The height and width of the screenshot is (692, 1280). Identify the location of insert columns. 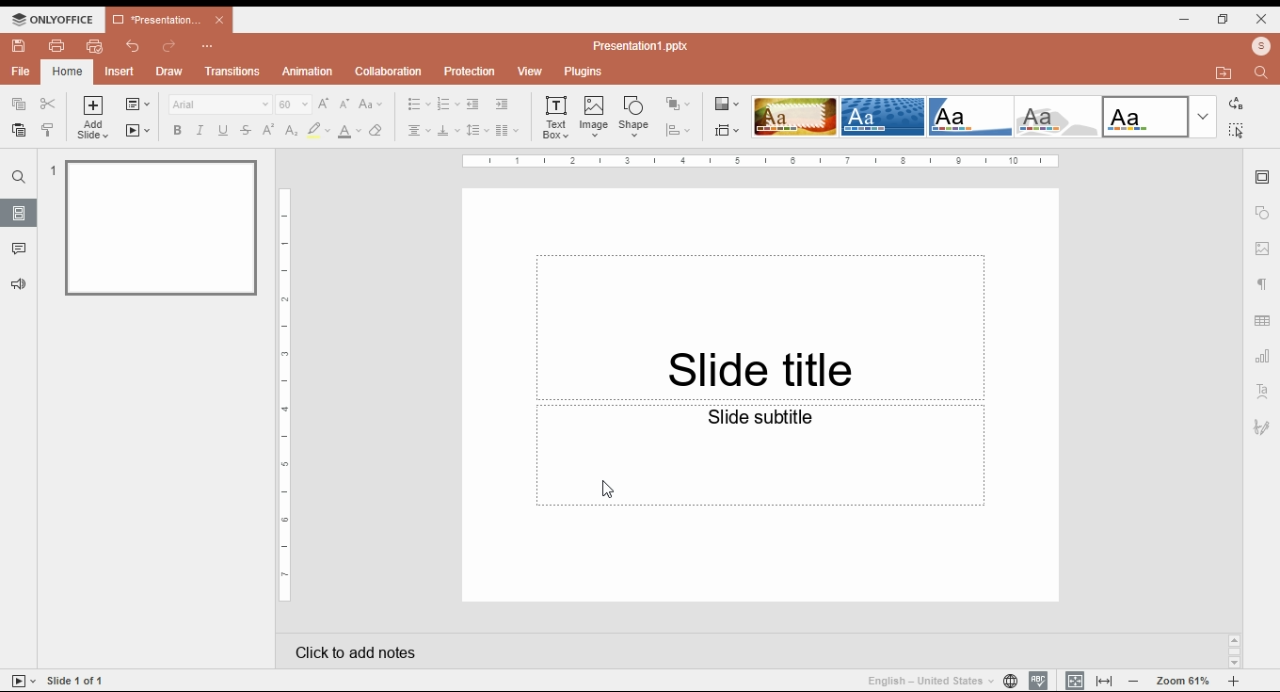
(507, 132).